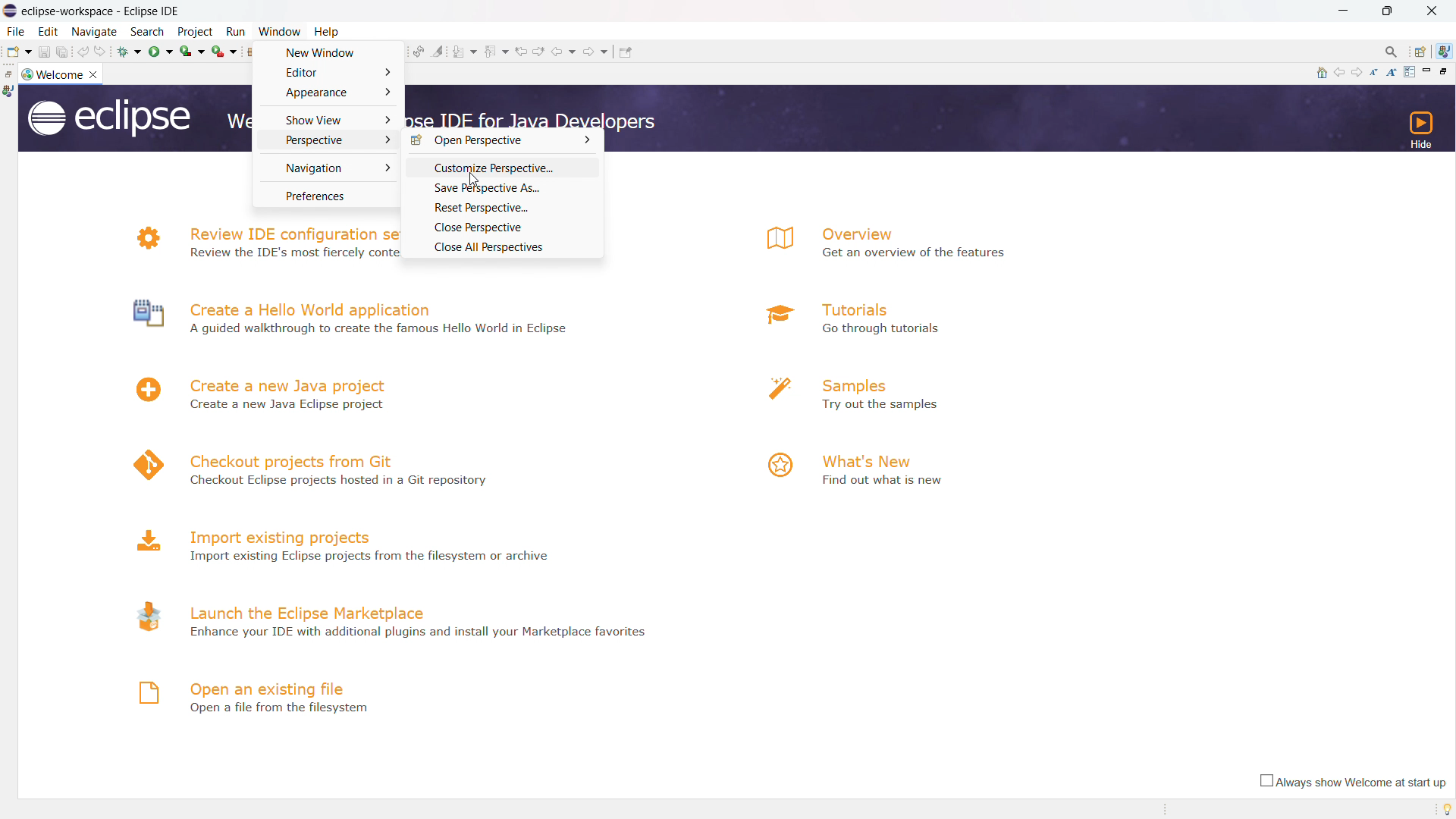 The height and width of the screenshot is (819, 1456). Describe the element at coordinates (884, 480) in the screenshot. I see `Find out what is new` at that location.